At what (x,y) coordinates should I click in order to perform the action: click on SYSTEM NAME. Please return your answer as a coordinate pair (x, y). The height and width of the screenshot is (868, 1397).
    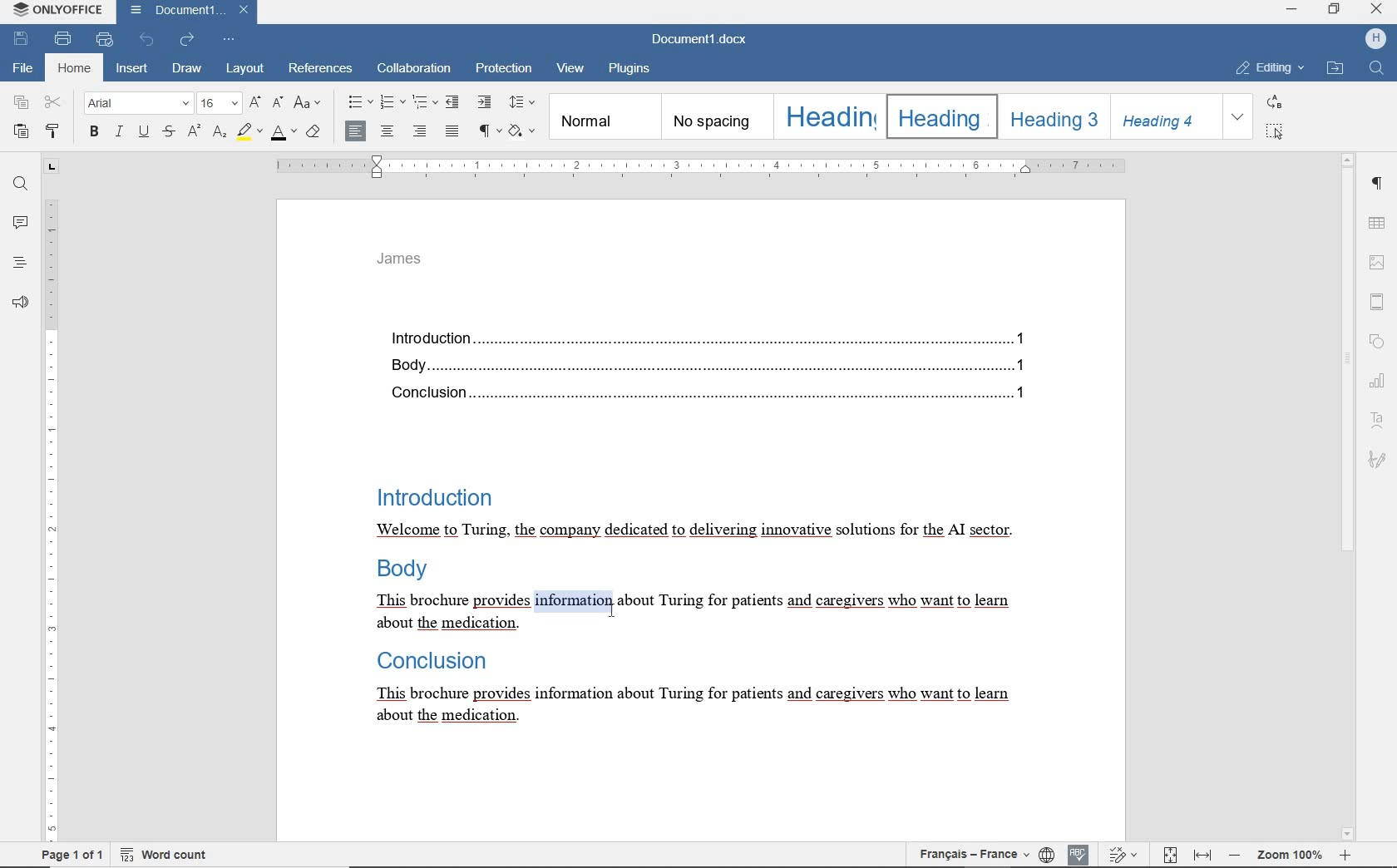
    Looking at the image, I should click on (55, 10).